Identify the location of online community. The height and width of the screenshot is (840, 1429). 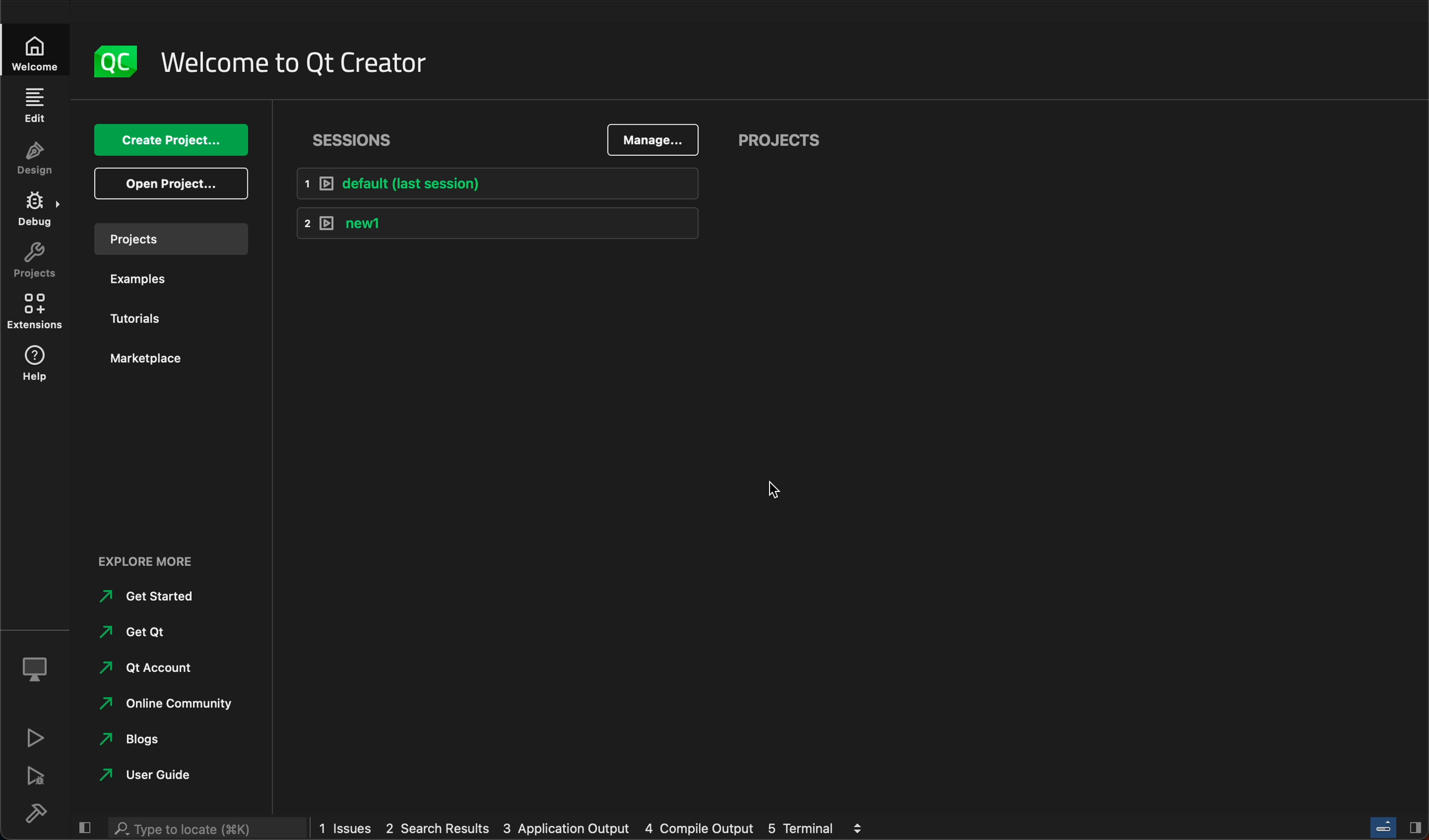
(166, 706).